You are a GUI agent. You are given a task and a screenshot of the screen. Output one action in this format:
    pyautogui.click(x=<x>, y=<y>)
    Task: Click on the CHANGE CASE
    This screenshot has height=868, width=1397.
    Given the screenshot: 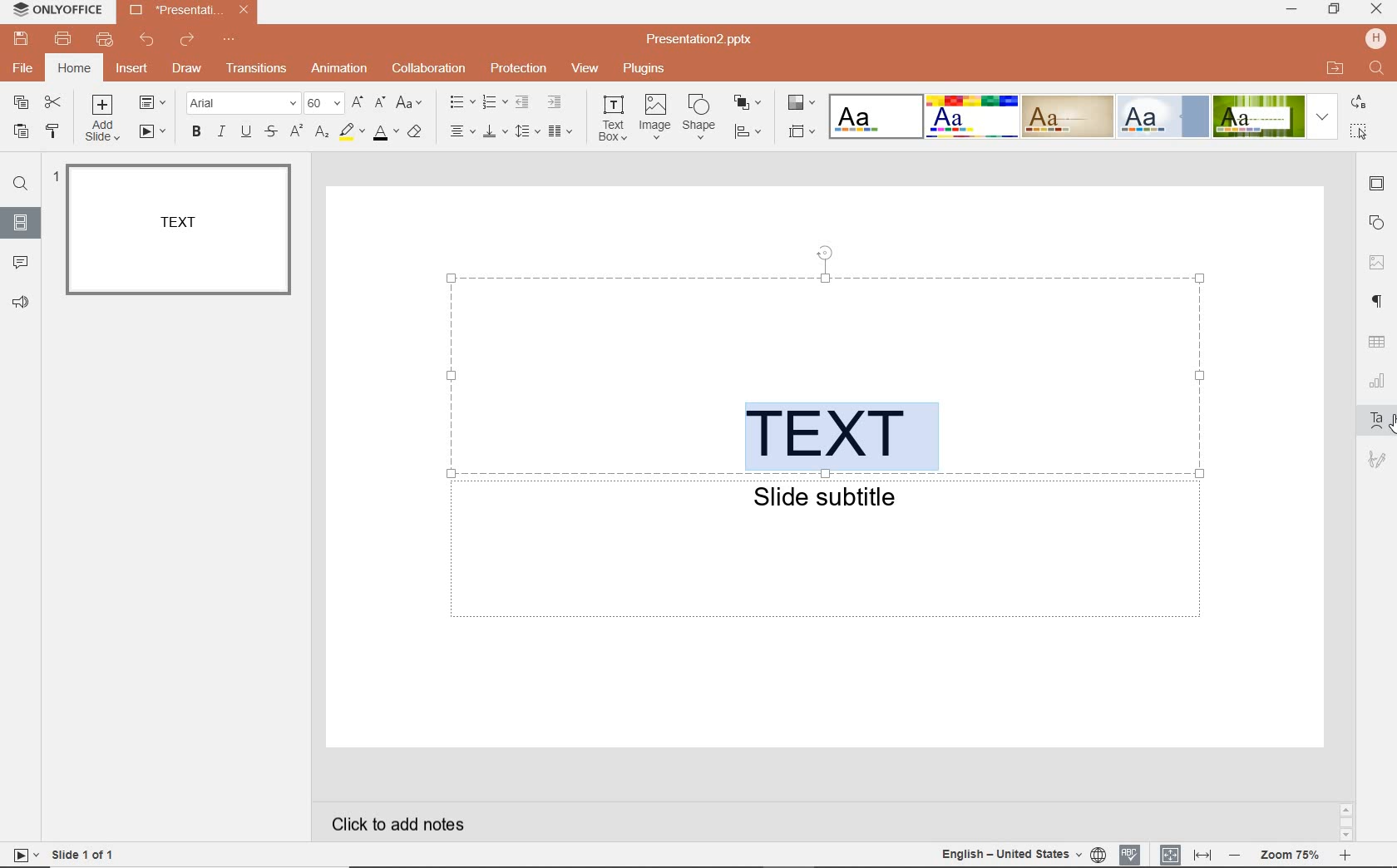 What is the action you would take?
    pyautogui.click(x=410, y=103)
    